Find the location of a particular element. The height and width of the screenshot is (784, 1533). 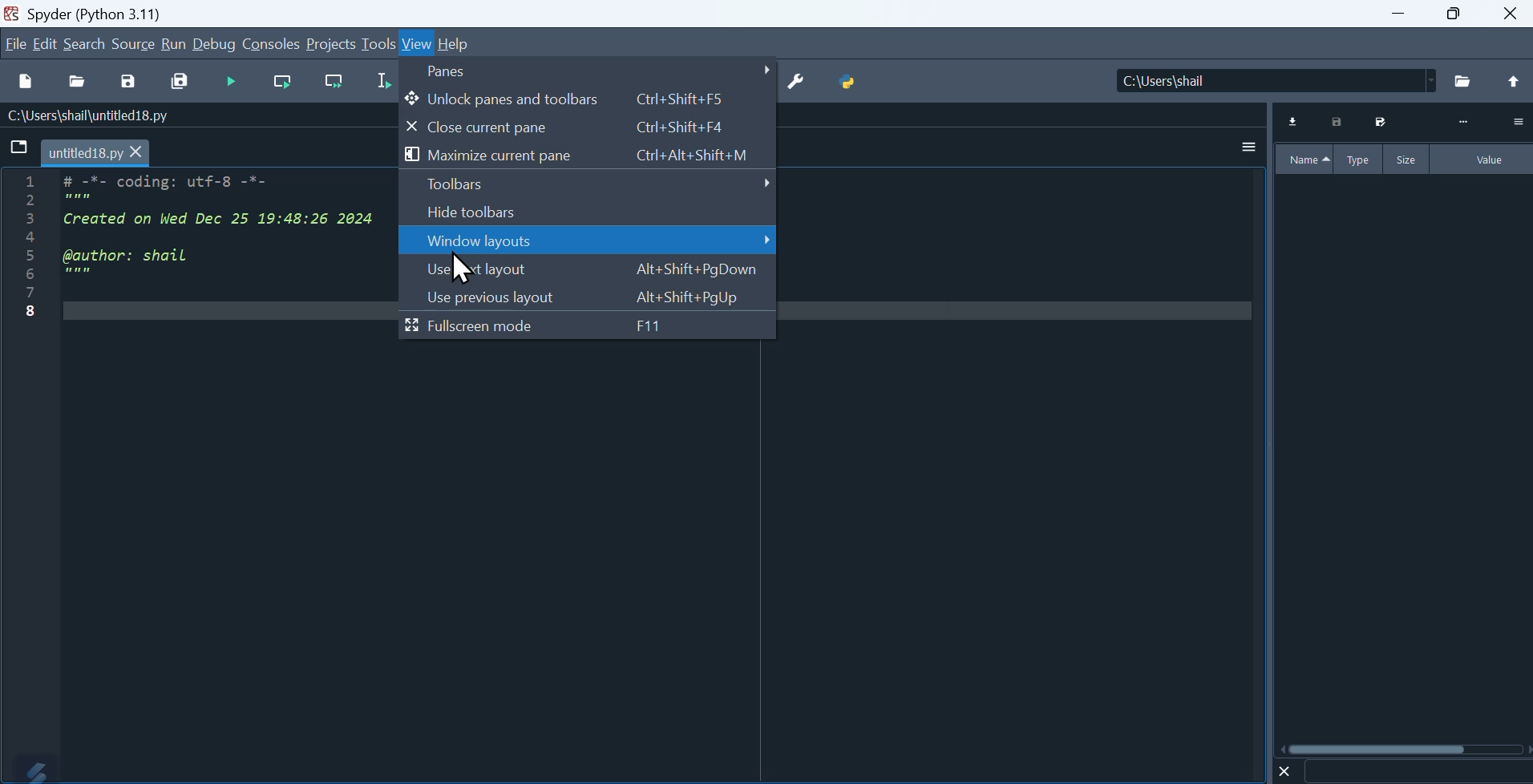

Spyder (Python 3.11) is located at coordinates (108, 12).